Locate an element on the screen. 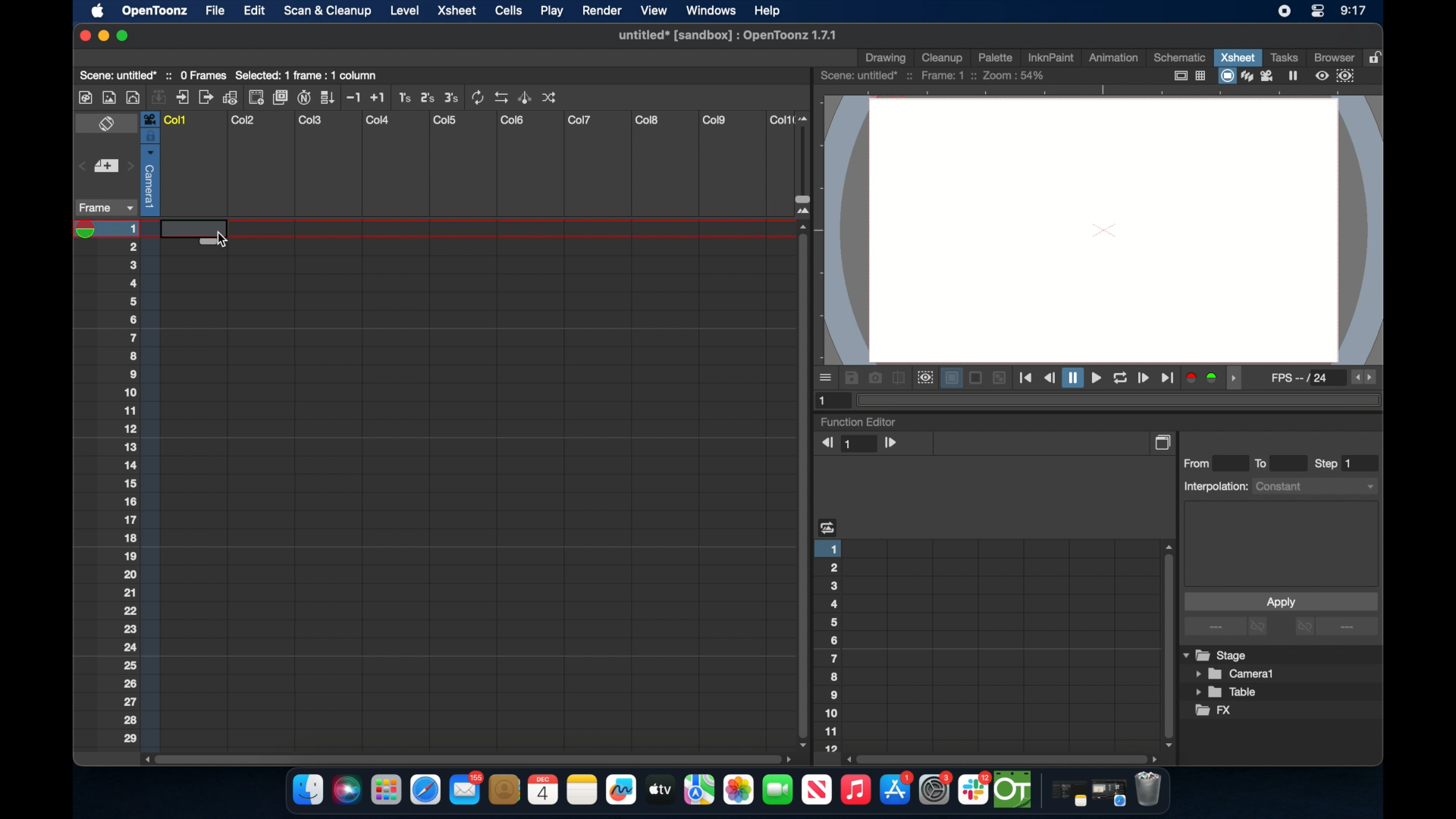  from is located at coordinates (1200, 463).